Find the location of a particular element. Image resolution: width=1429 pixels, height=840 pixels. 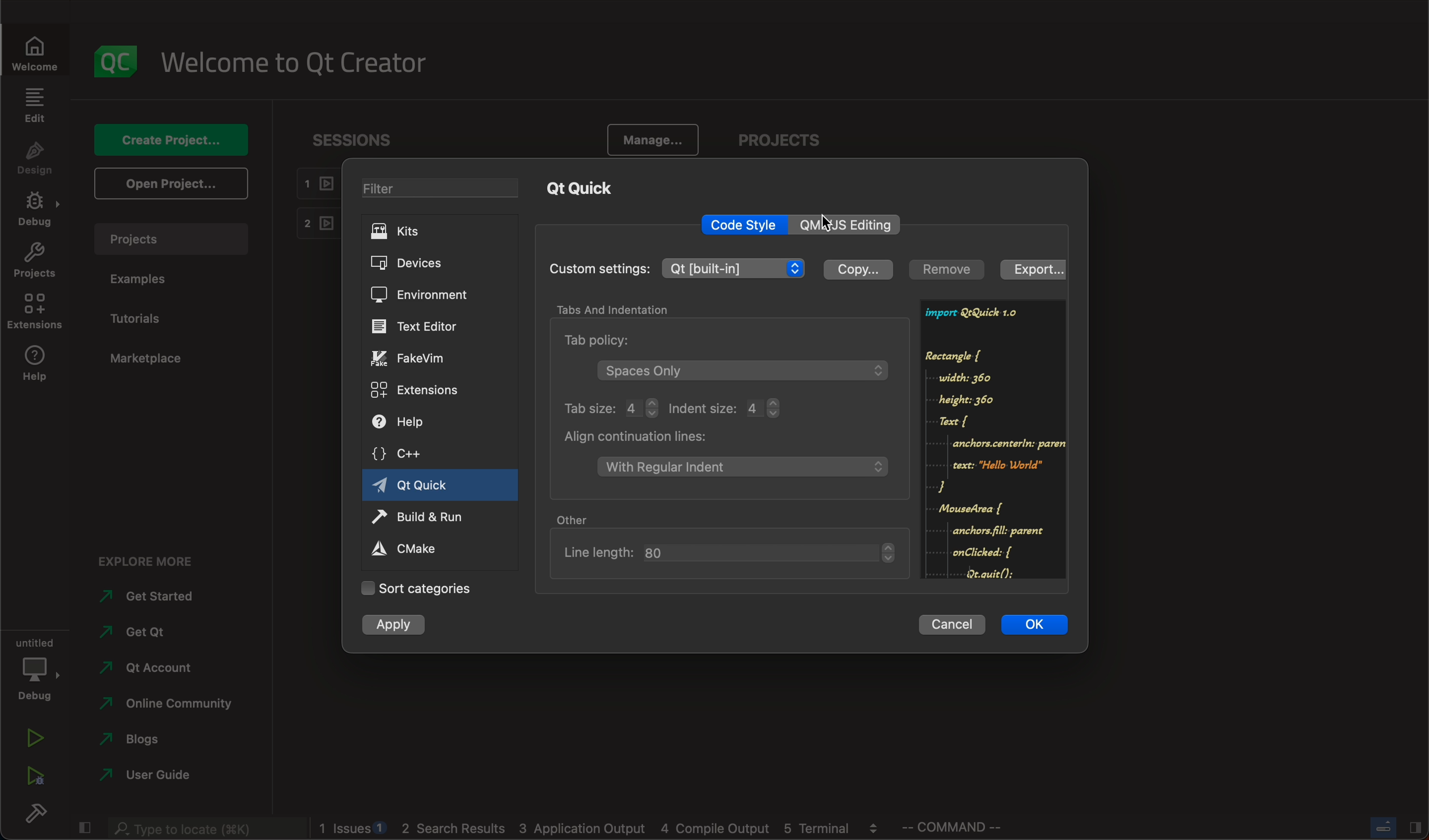

projects is located at coordinates (169, 239).